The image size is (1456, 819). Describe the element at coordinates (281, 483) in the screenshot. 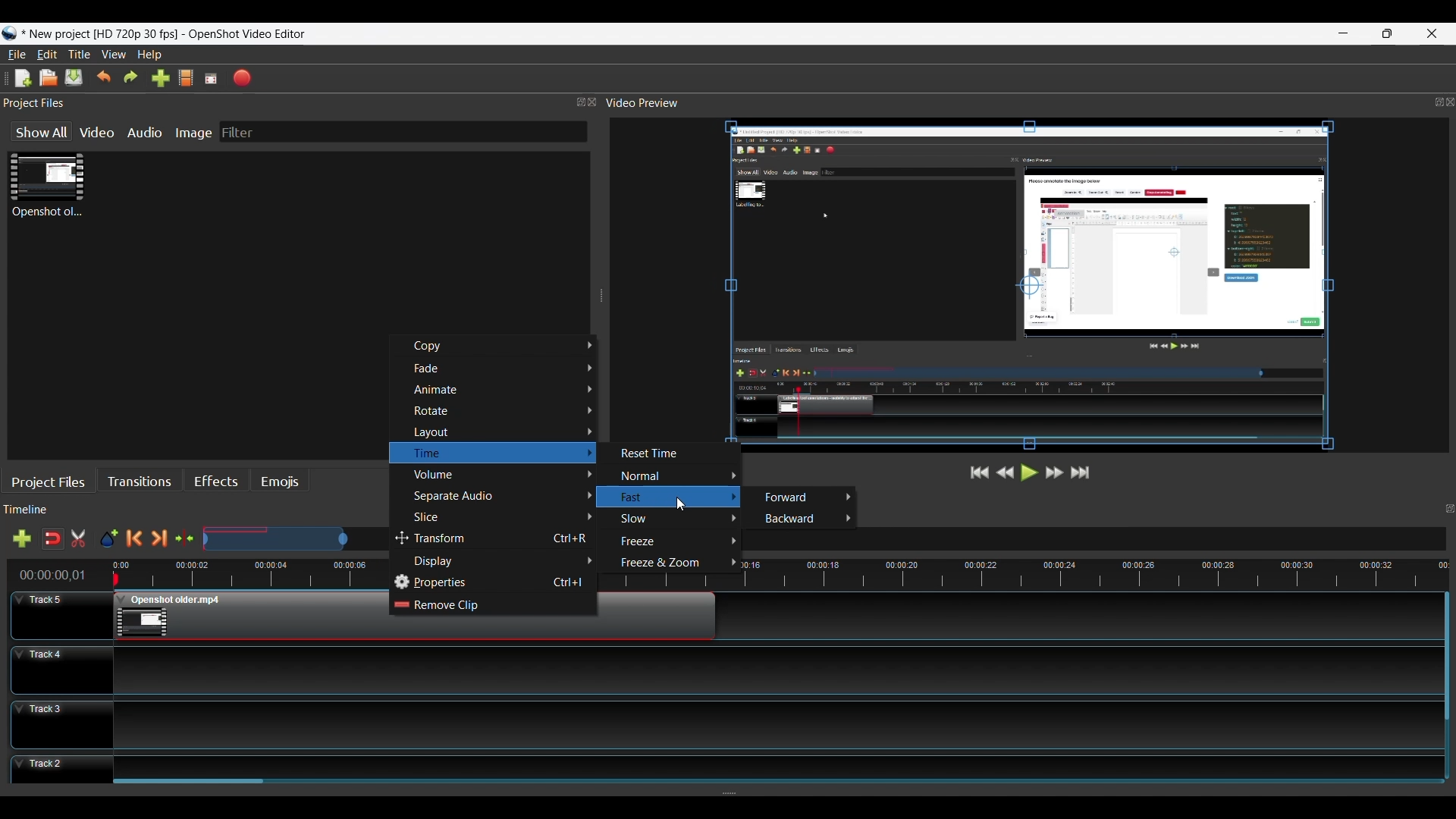

I see `Emojis` at that location.